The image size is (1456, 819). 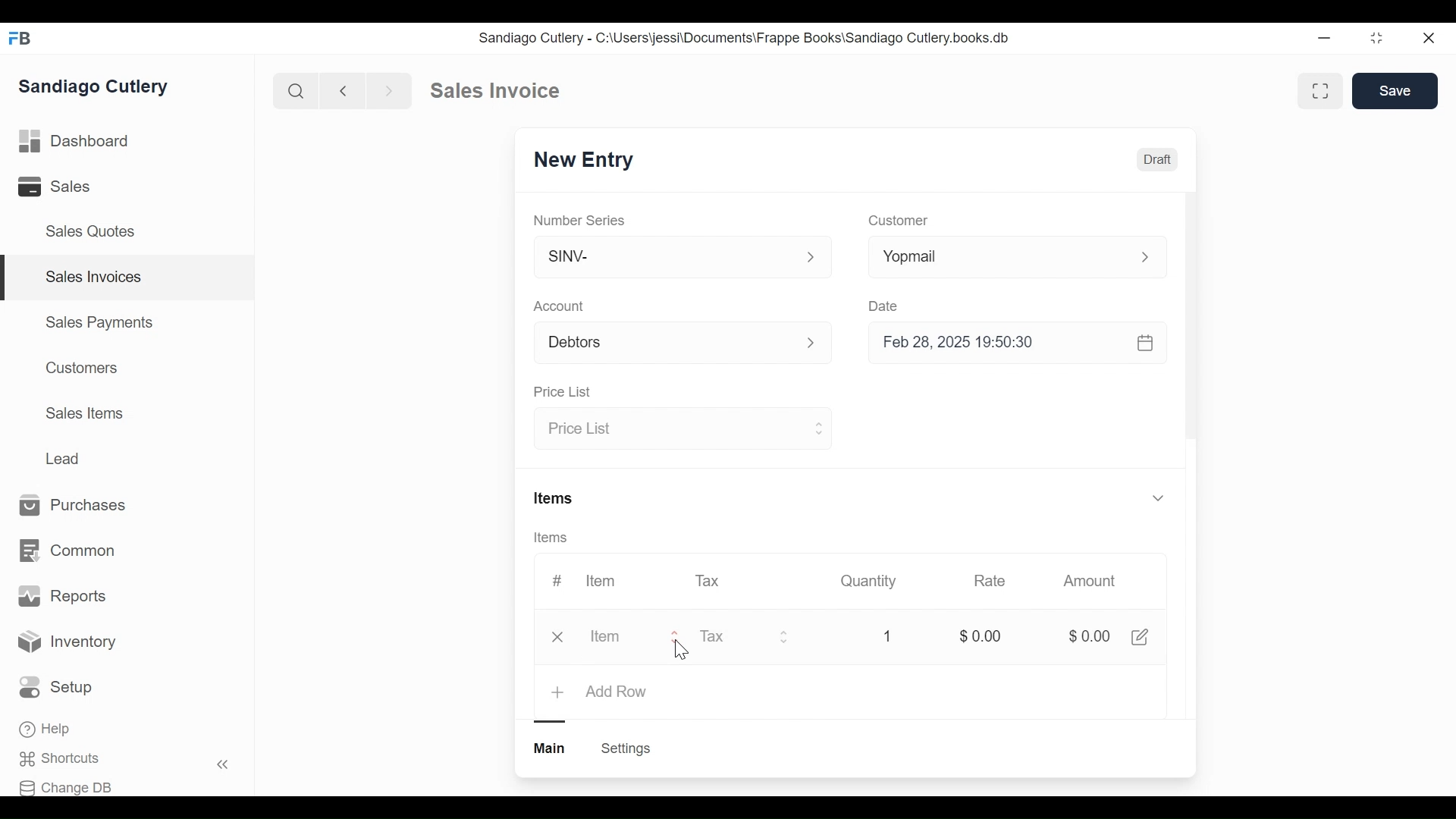 I want to click on fullscreen, so click(x=1323, y=90).